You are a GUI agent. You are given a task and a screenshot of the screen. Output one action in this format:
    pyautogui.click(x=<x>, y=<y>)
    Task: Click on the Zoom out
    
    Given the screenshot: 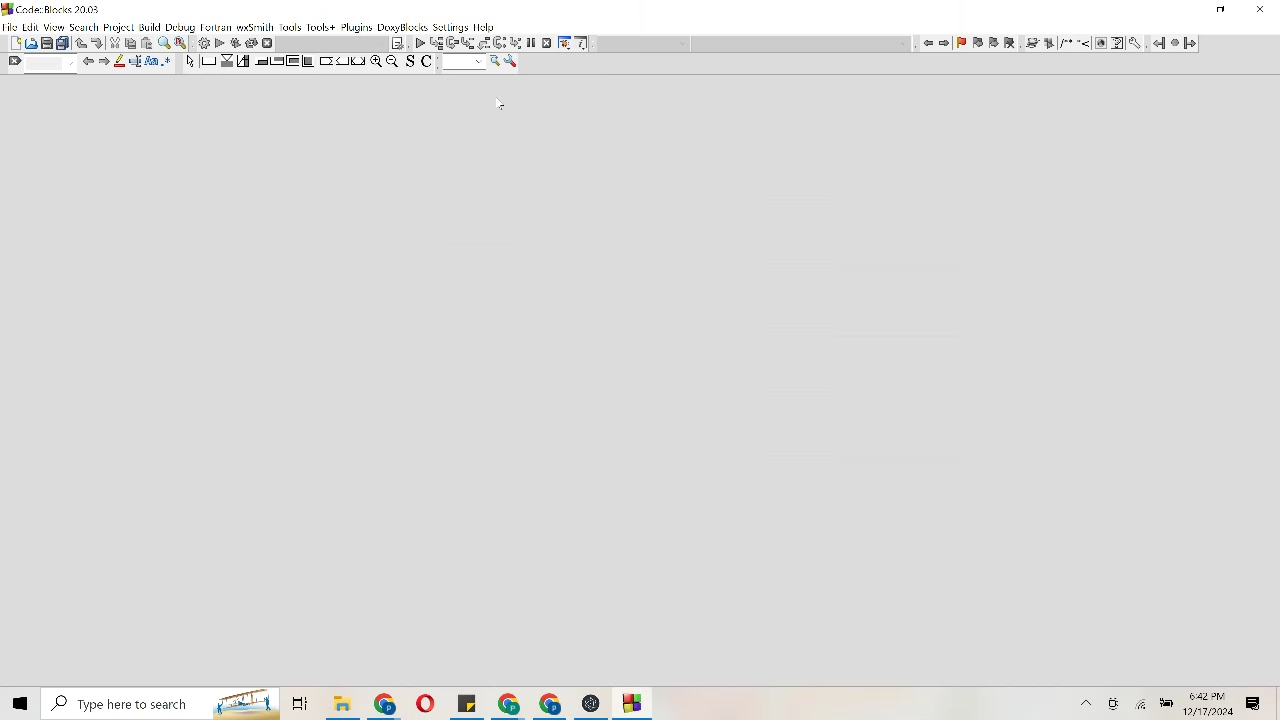 What is the action you would take?
    pyautogui.click(x=393, y=61)
    